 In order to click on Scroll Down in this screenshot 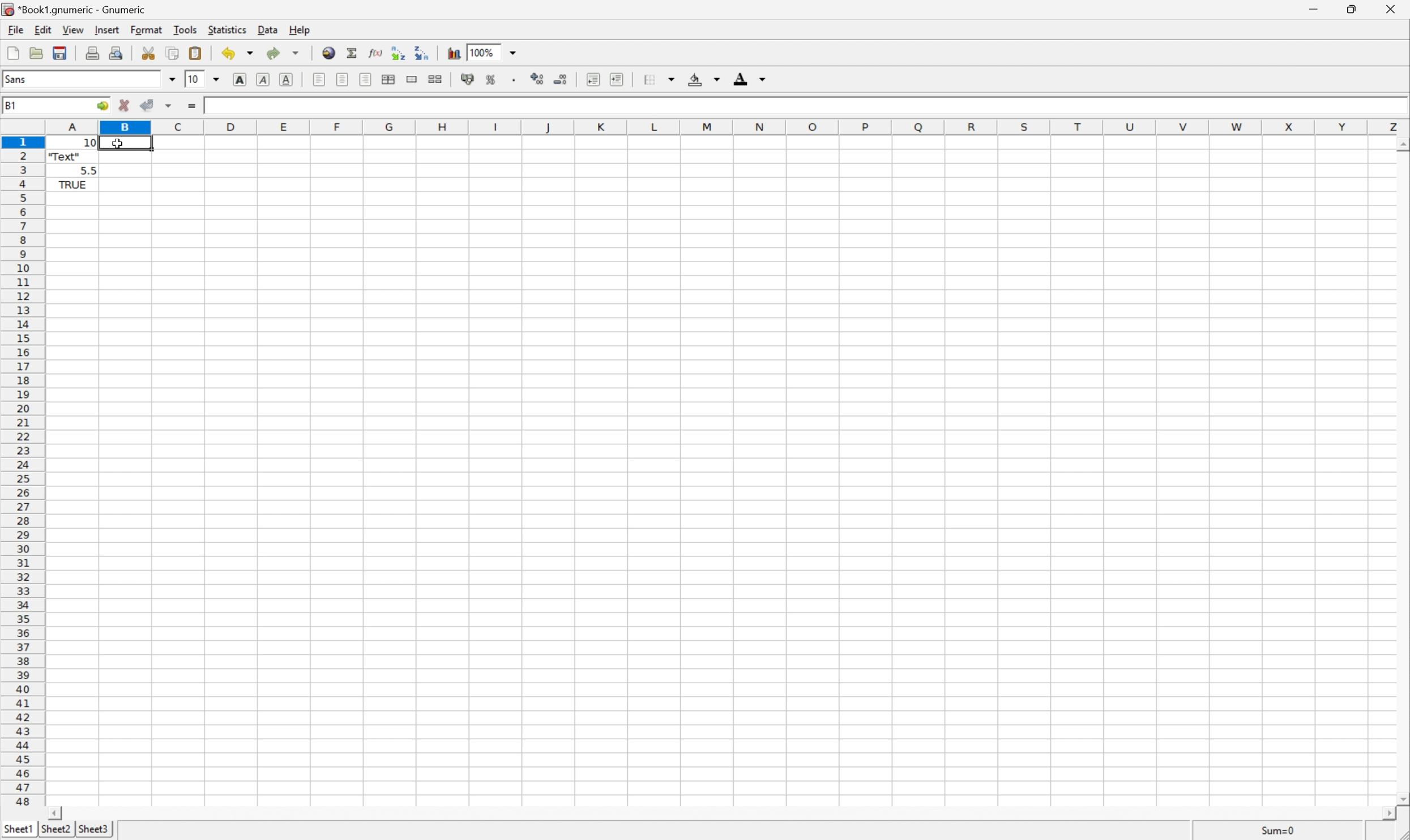, I will do `click(1401, 143)`.